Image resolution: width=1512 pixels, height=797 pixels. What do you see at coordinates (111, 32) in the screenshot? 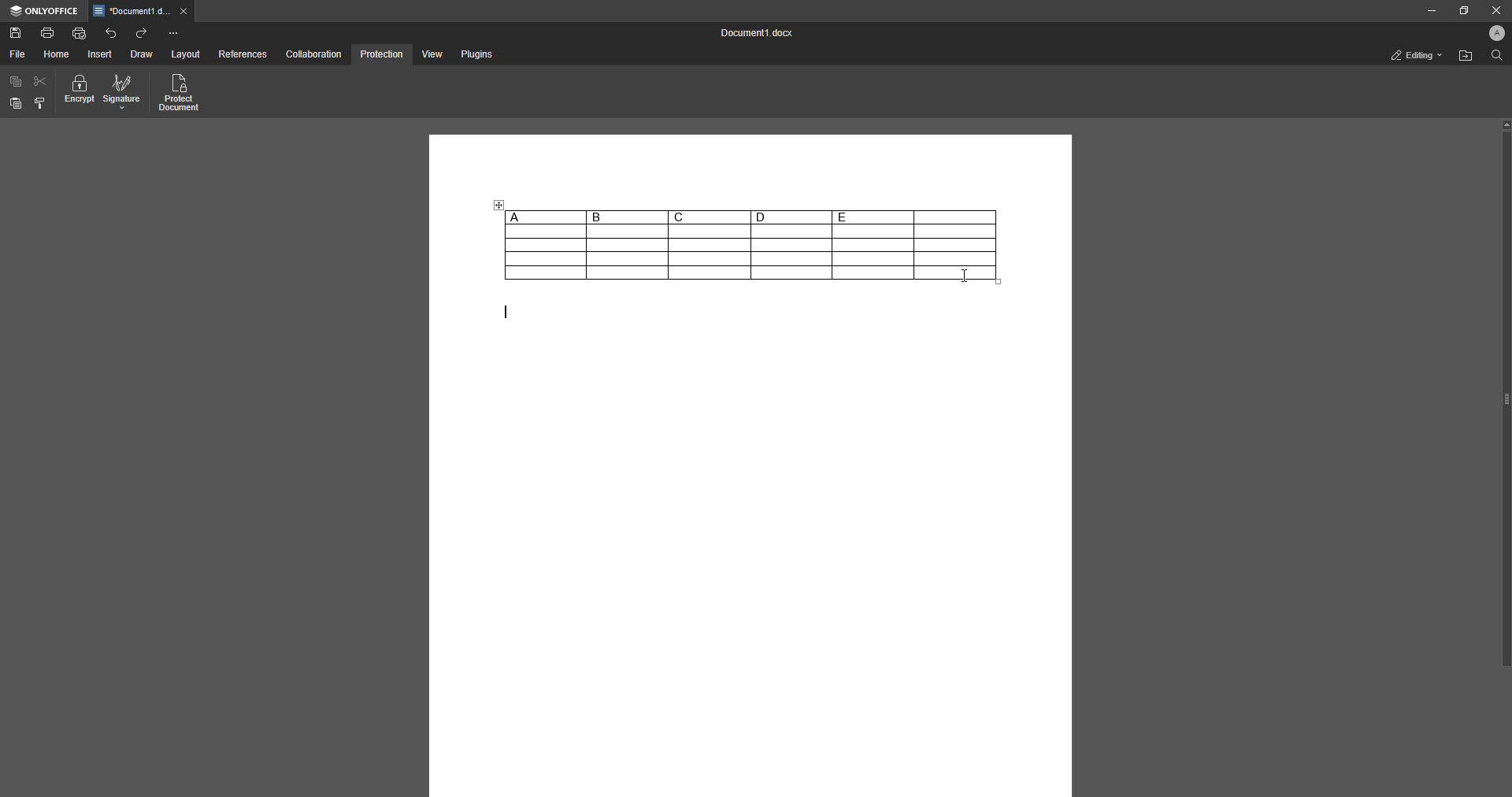
I see `Undo` at bounding box center [111, 32].